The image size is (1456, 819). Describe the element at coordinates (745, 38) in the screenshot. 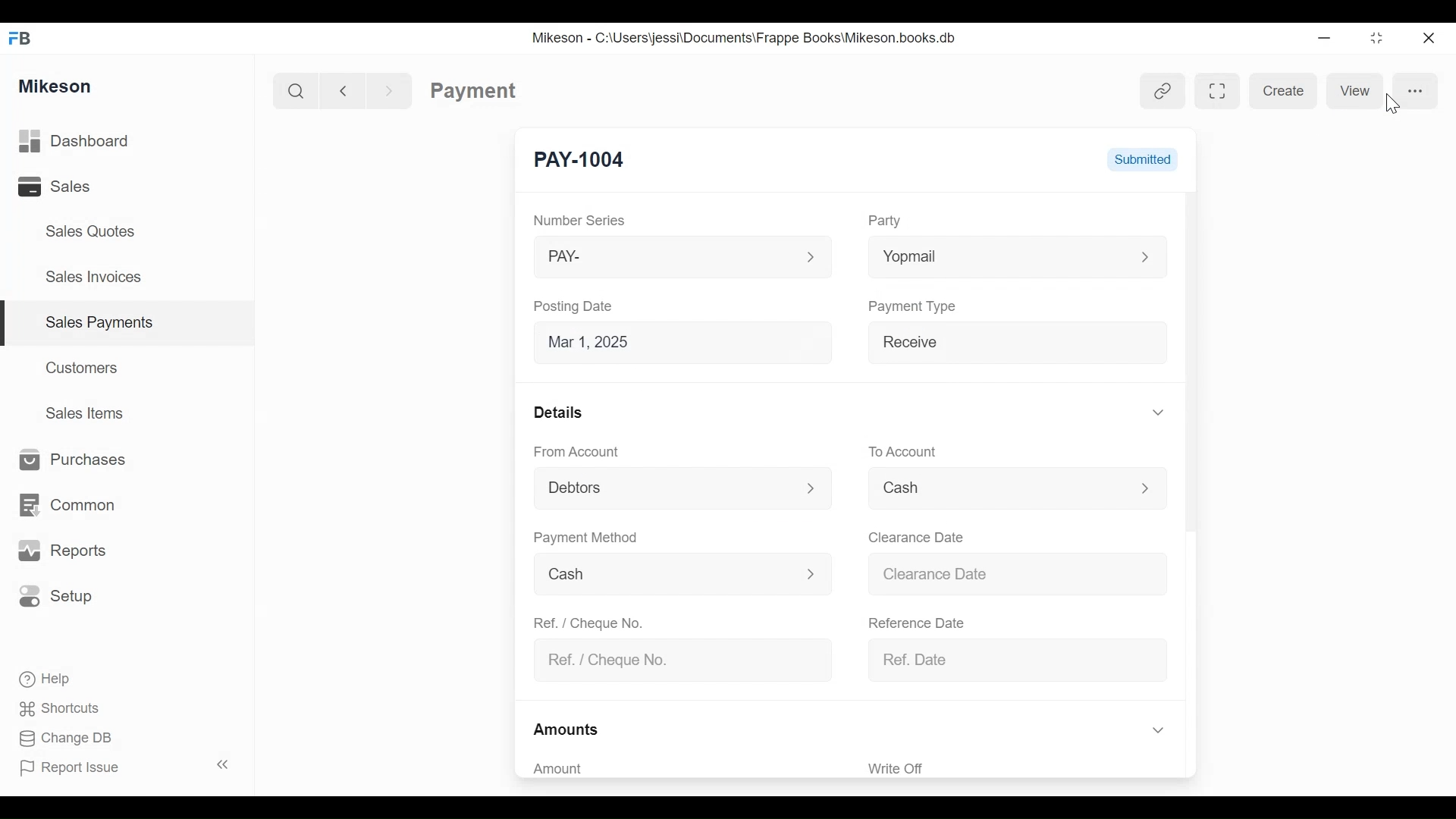

I see `Mikeson - C:\Users\jessi\Documents\Frappe Books\Mikeson.books.db` at that location.